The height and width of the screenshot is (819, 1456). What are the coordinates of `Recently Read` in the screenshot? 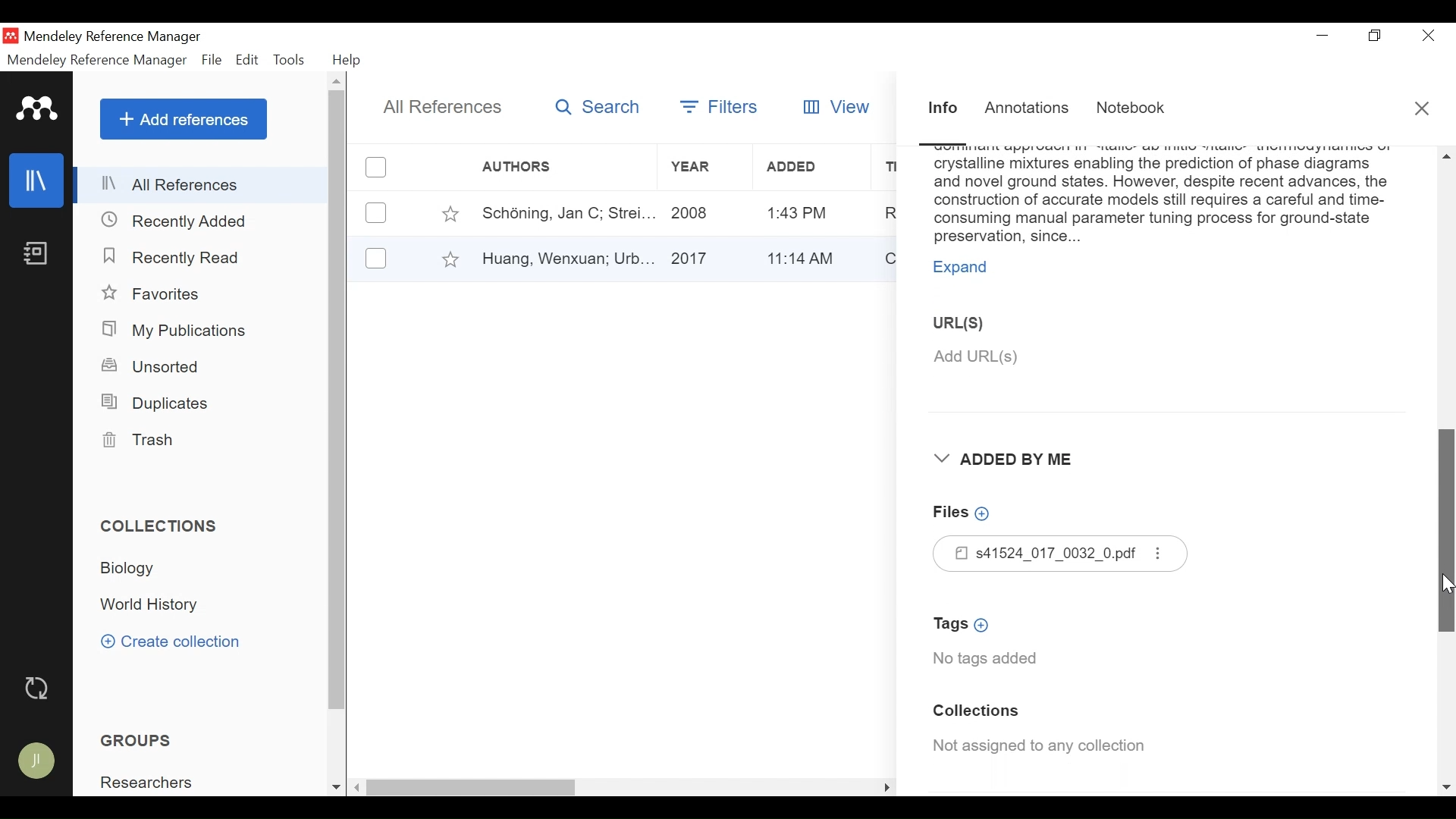 It's located at (180, 259).